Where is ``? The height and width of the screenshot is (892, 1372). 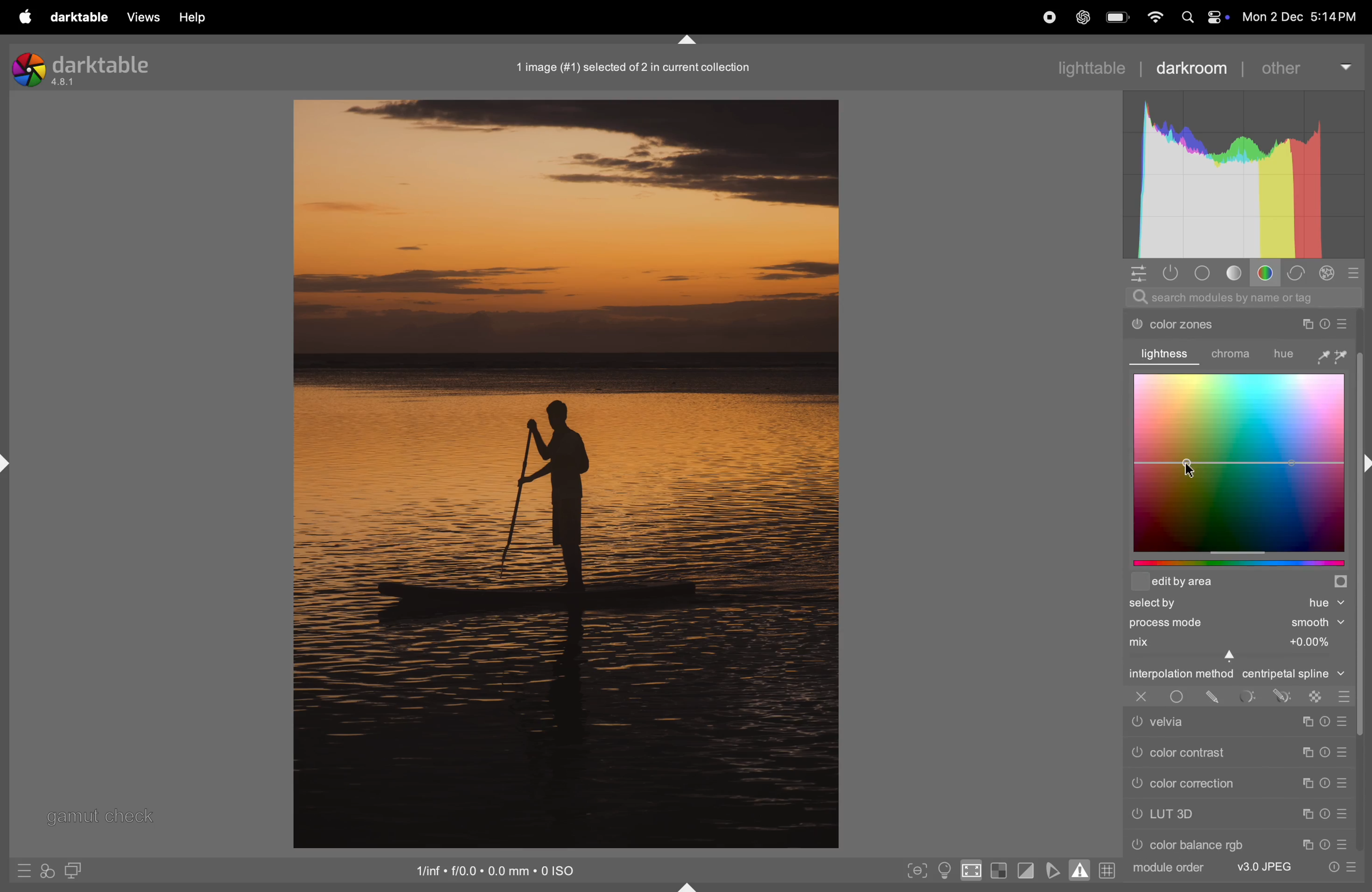
 is located at coordinates (1171, 271).